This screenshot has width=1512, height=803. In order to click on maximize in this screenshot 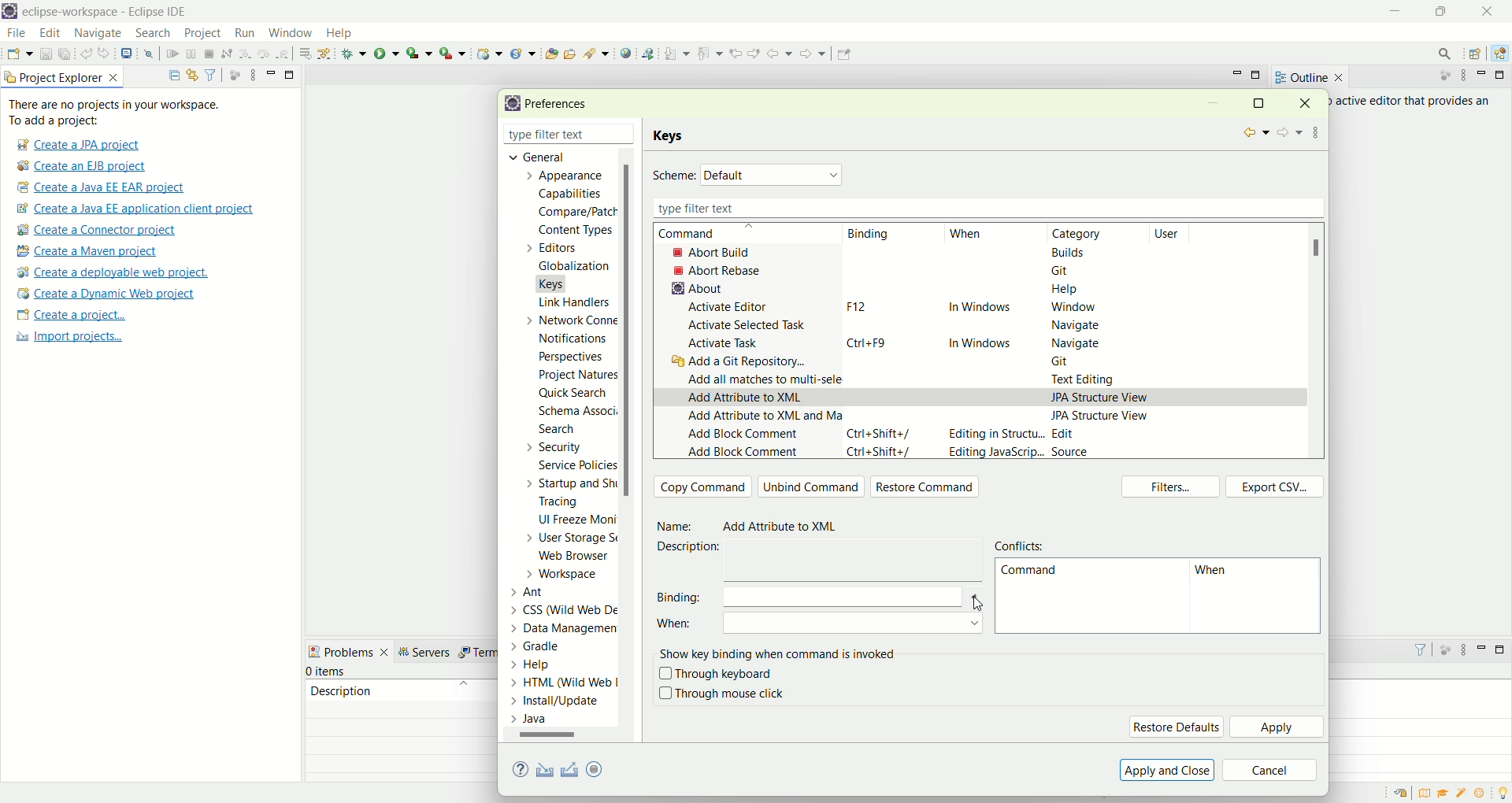, I will do `click(1503, 649)`.